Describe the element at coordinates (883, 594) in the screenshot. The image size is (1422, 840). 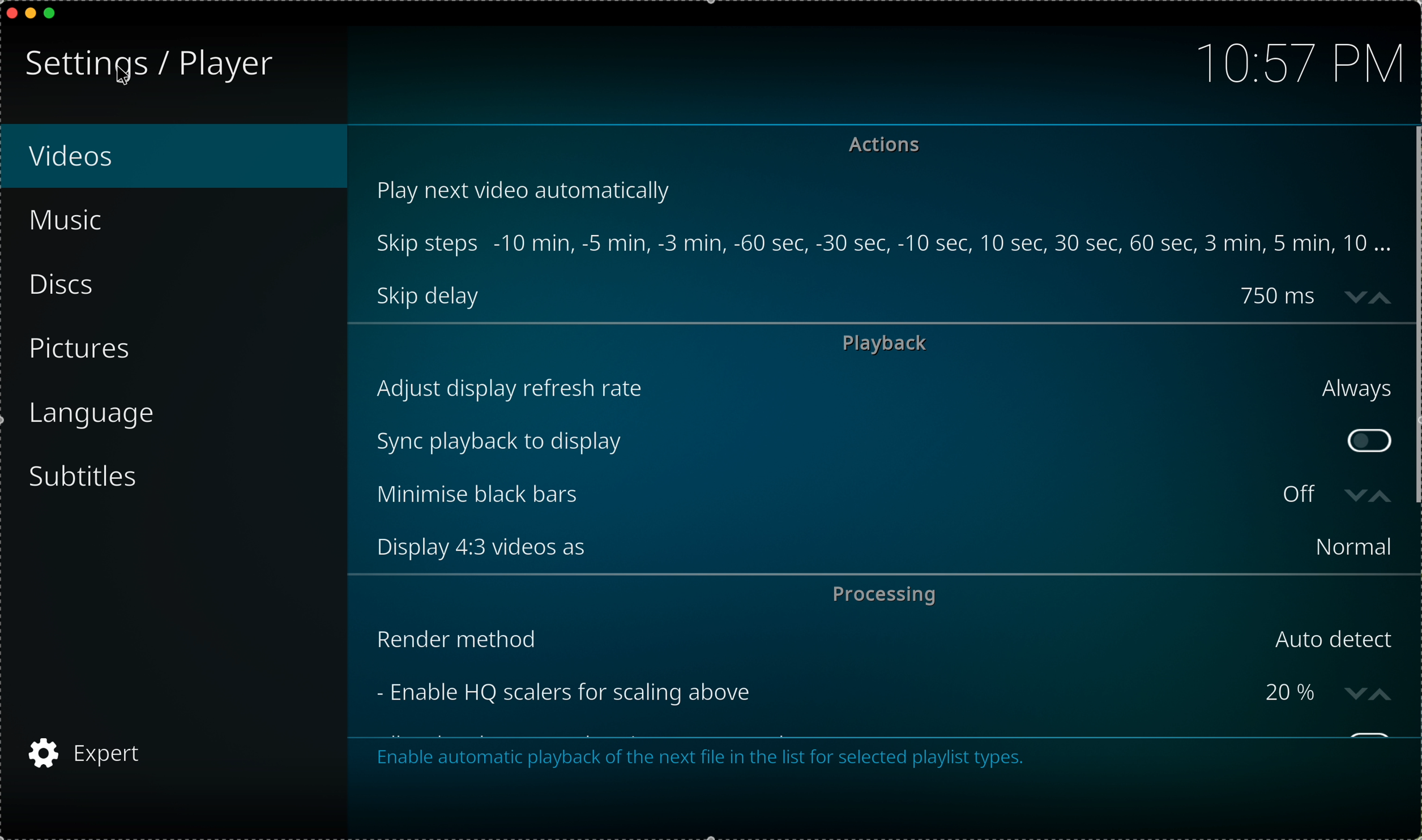
I see `processing` at that location.